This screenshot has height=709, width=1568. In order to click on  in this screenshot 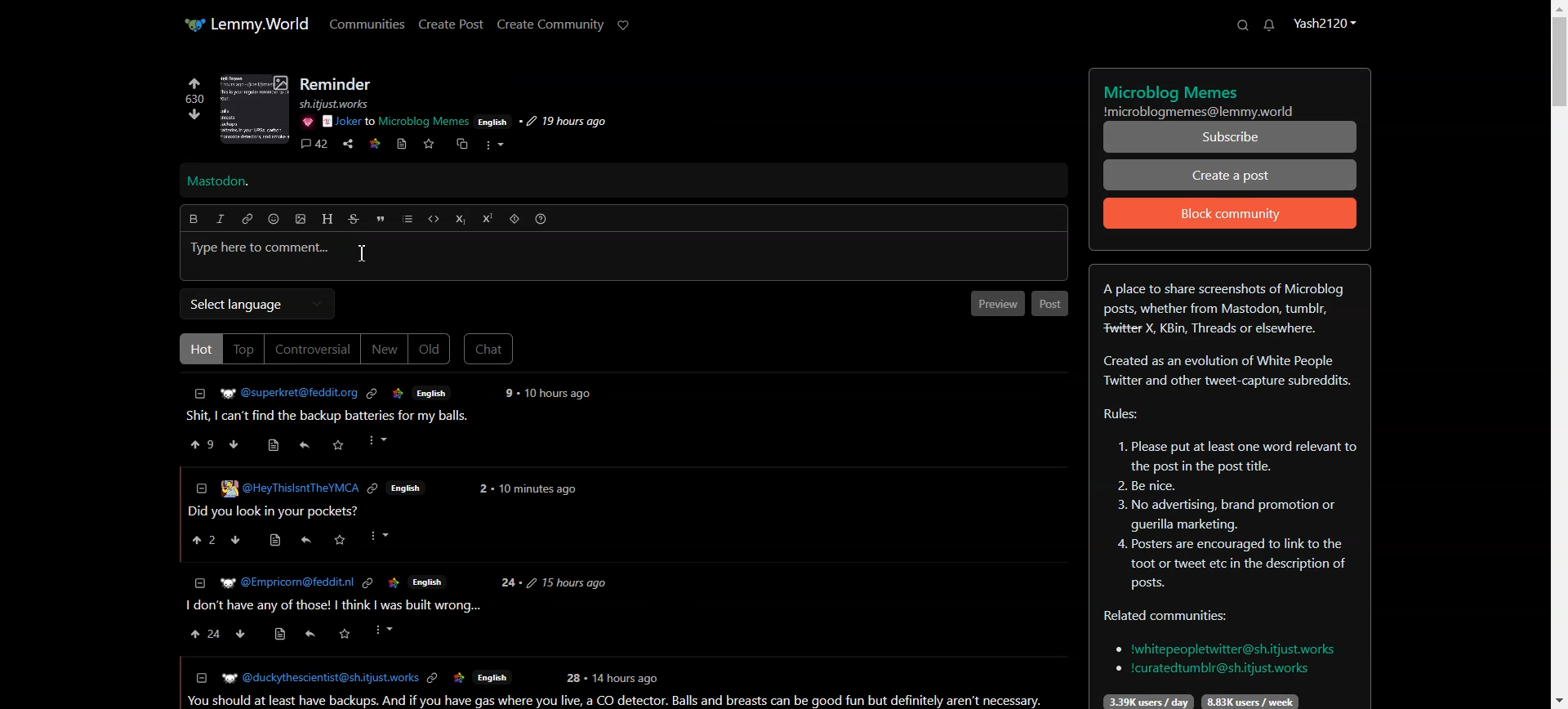, I will do `click(281, 635)`.